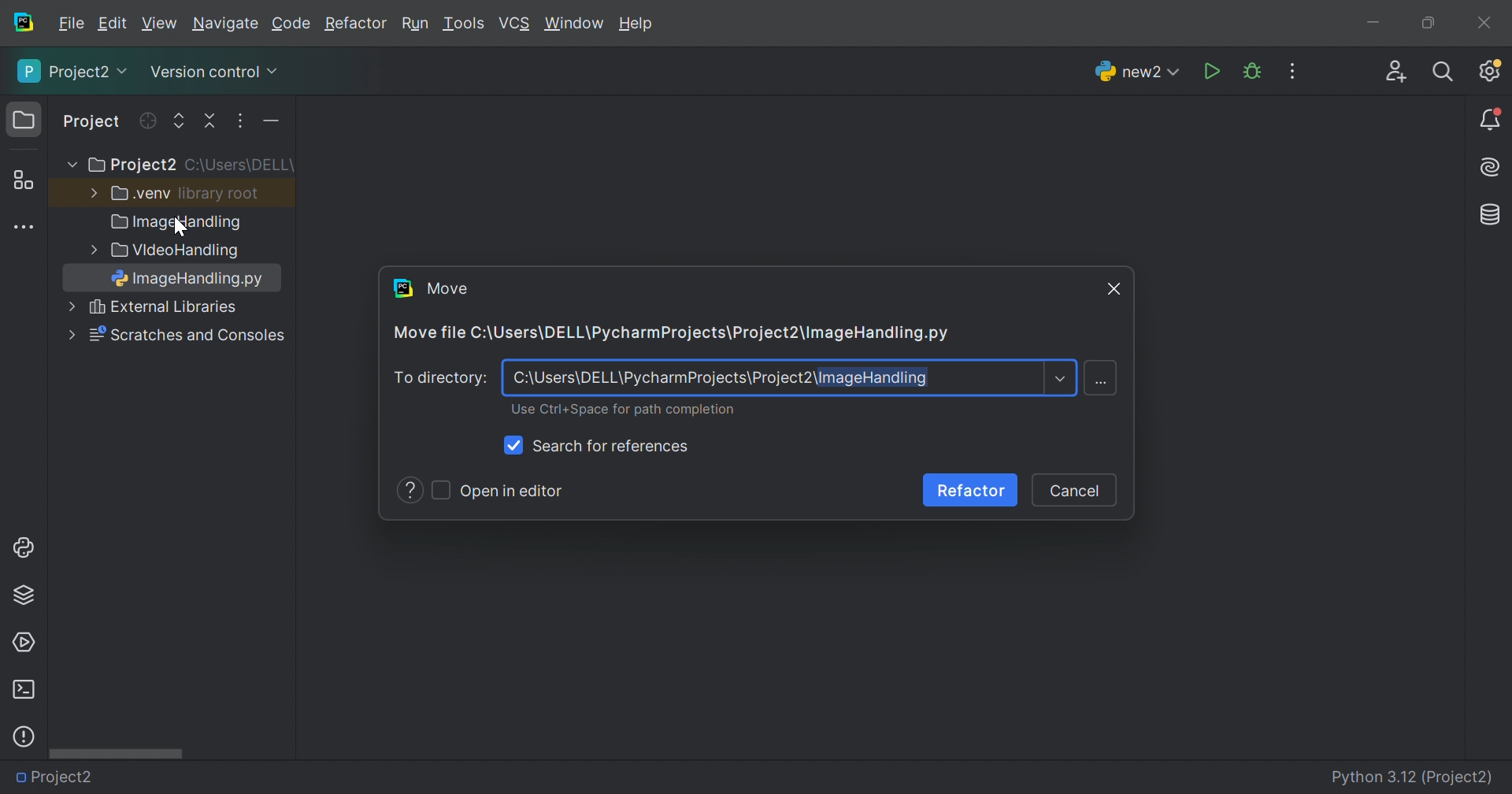  What do you see at coordinates (212, 121) in the screenshot?
I see `Collapse all` at bounding box center [212, 121].